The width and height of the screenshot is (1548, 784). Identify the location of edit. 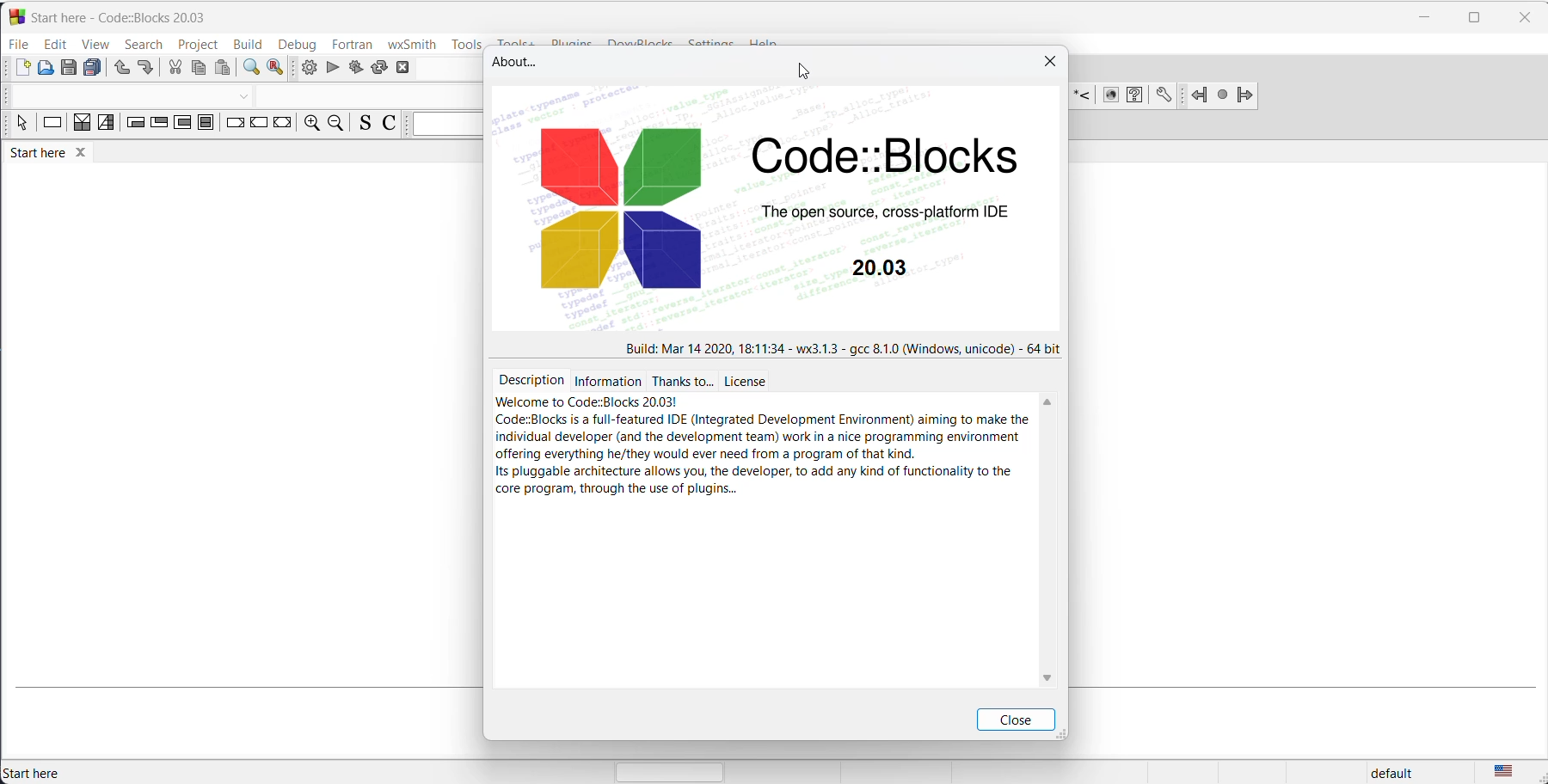
(56, 45).